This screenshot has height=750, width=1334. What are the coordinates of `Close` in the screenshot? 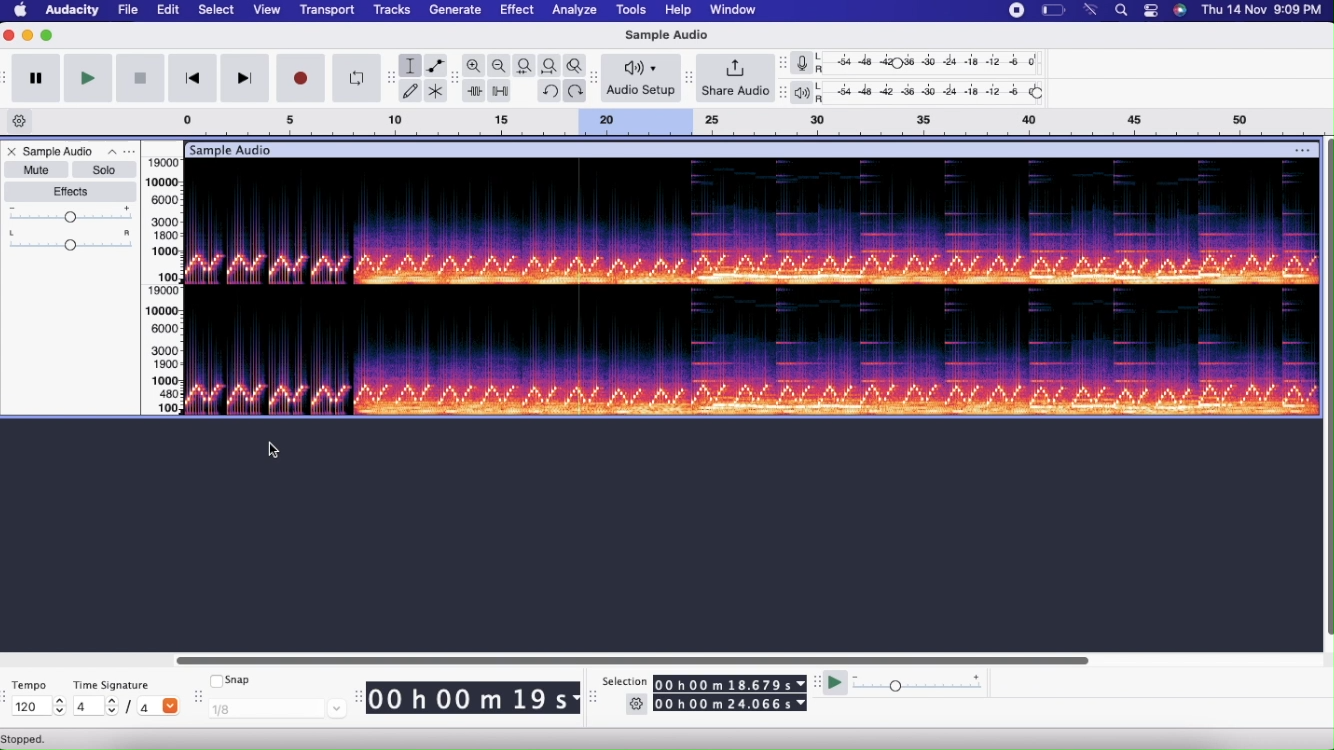 It's located at (14, 151).